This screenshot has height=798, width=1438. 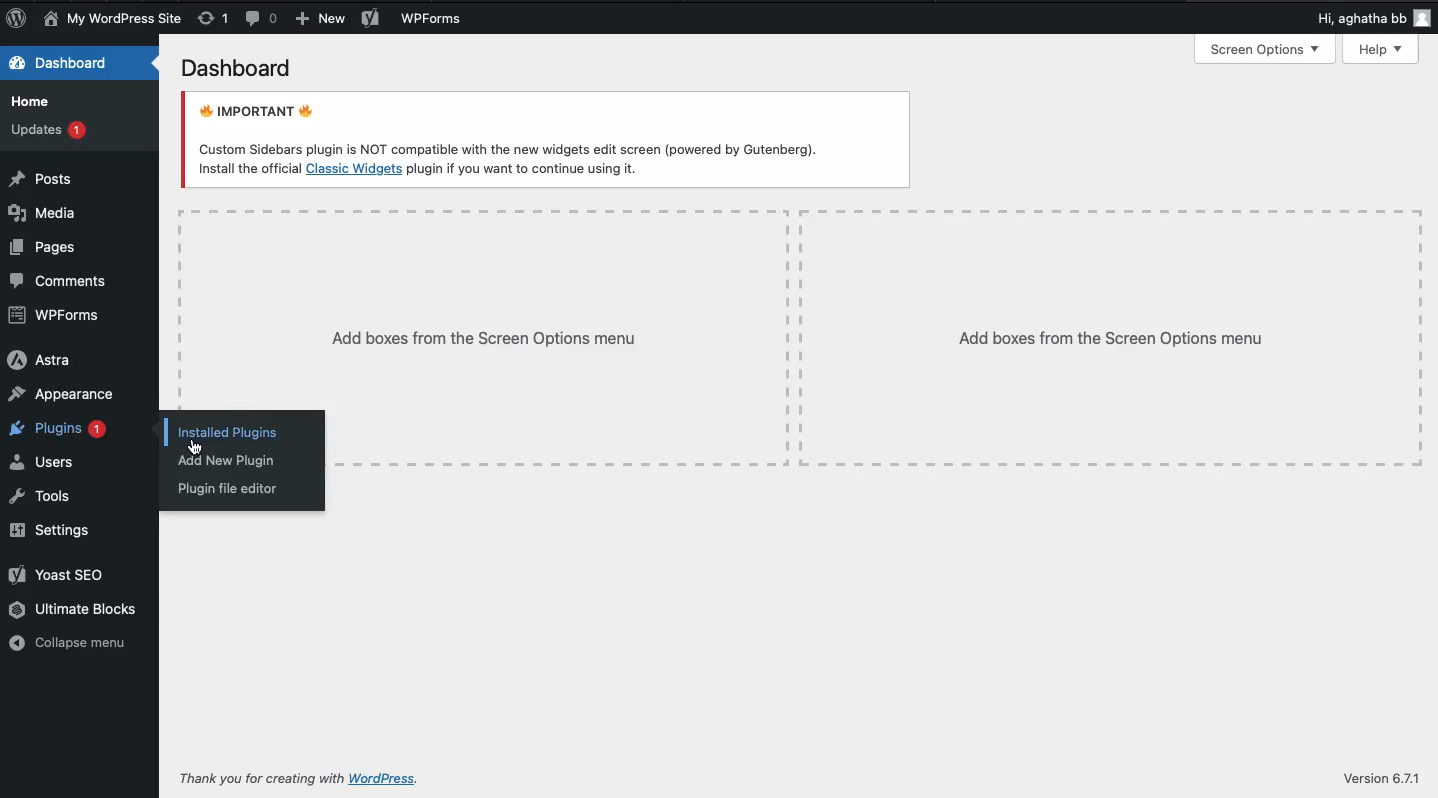 I want to click on Media, so click(x=44, y=213).